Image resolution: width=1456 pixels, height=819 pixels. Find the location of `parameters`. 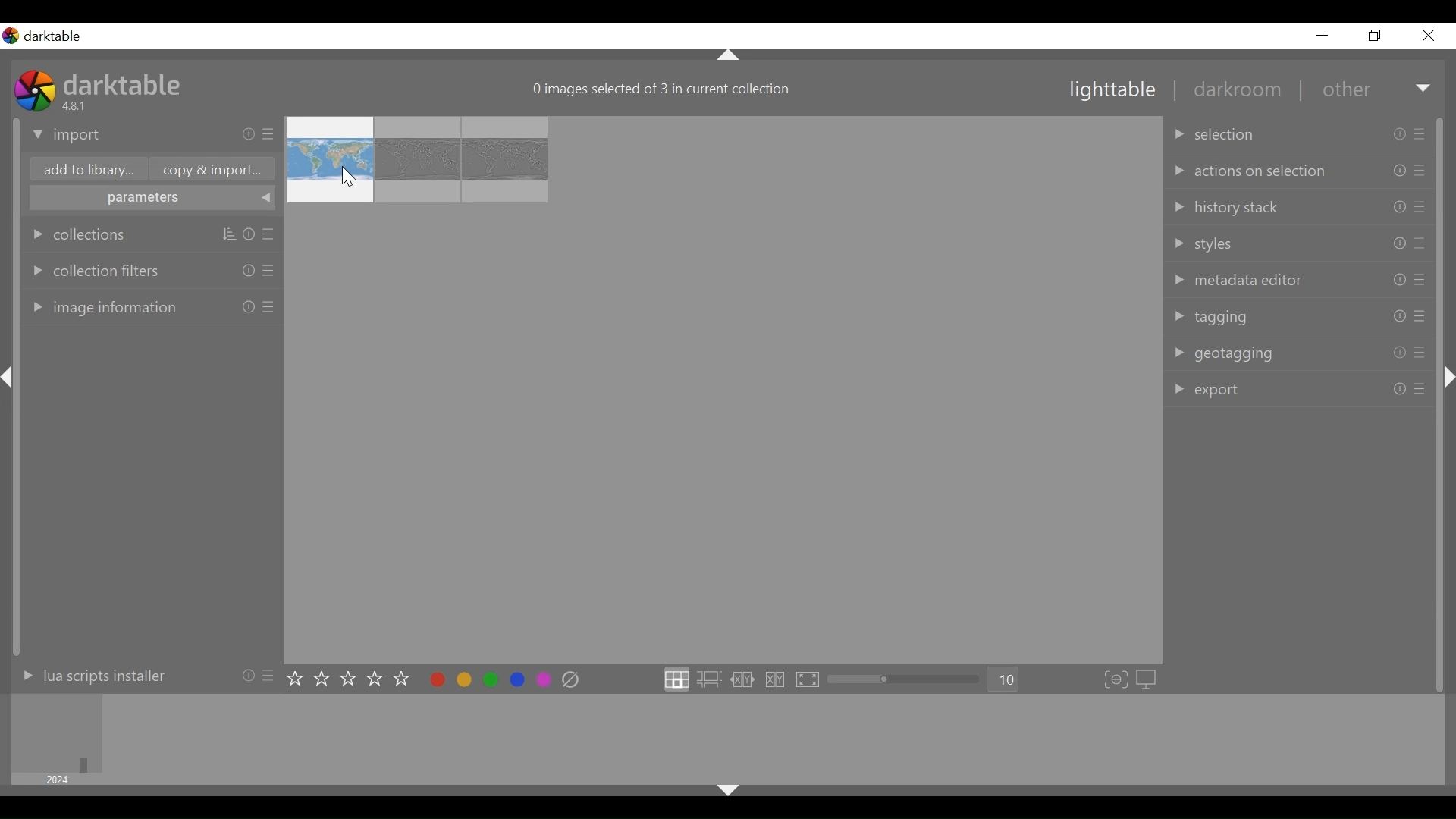

parameters is located at coordinates (149, 198).